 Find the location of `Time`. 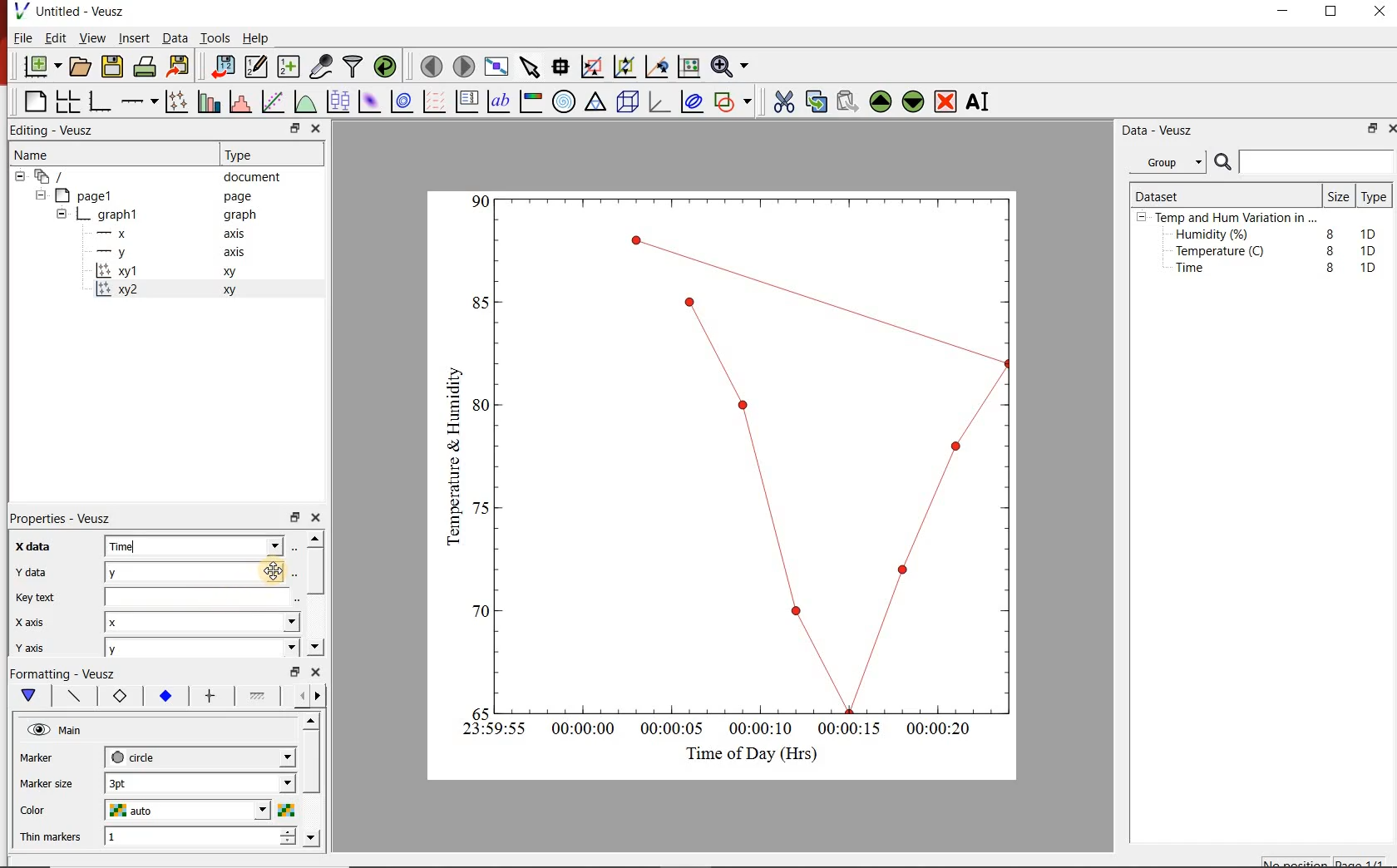

Time is located at coordinates (1199, 272).